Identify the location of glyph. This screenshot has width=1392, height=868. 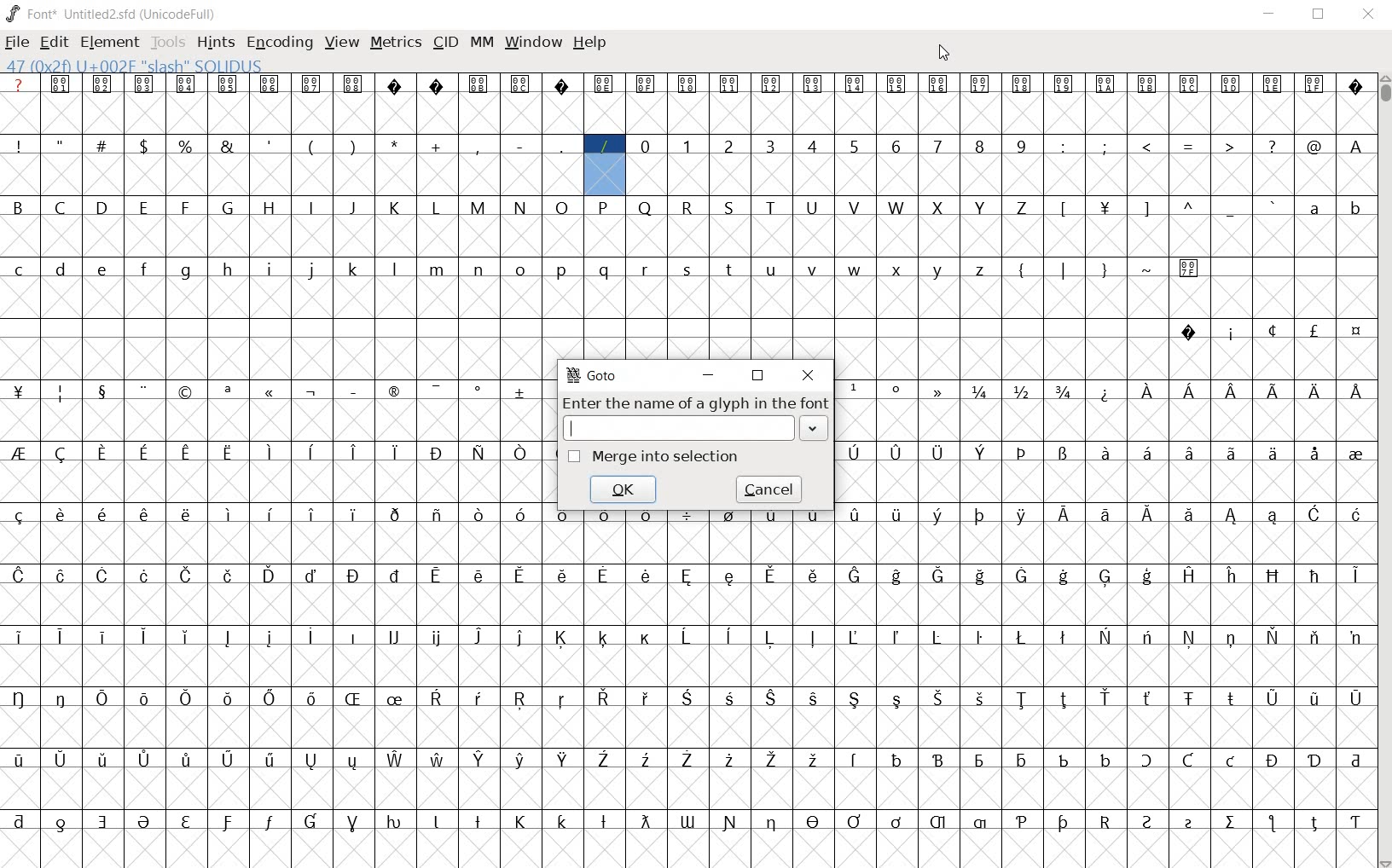
(145, 760).